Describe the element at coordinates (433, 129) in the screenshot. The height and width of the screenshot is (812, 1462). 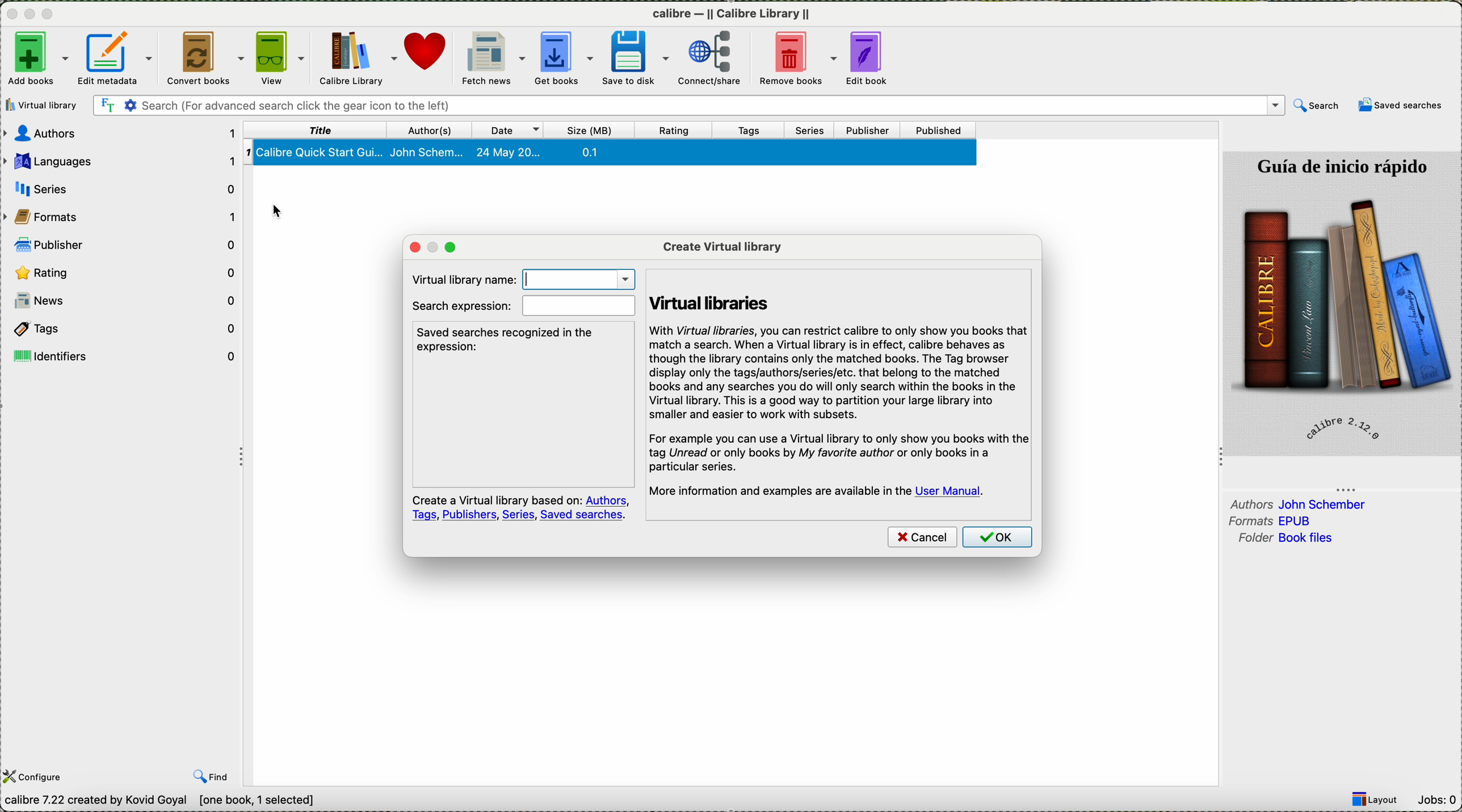
I see `authors` at that location.